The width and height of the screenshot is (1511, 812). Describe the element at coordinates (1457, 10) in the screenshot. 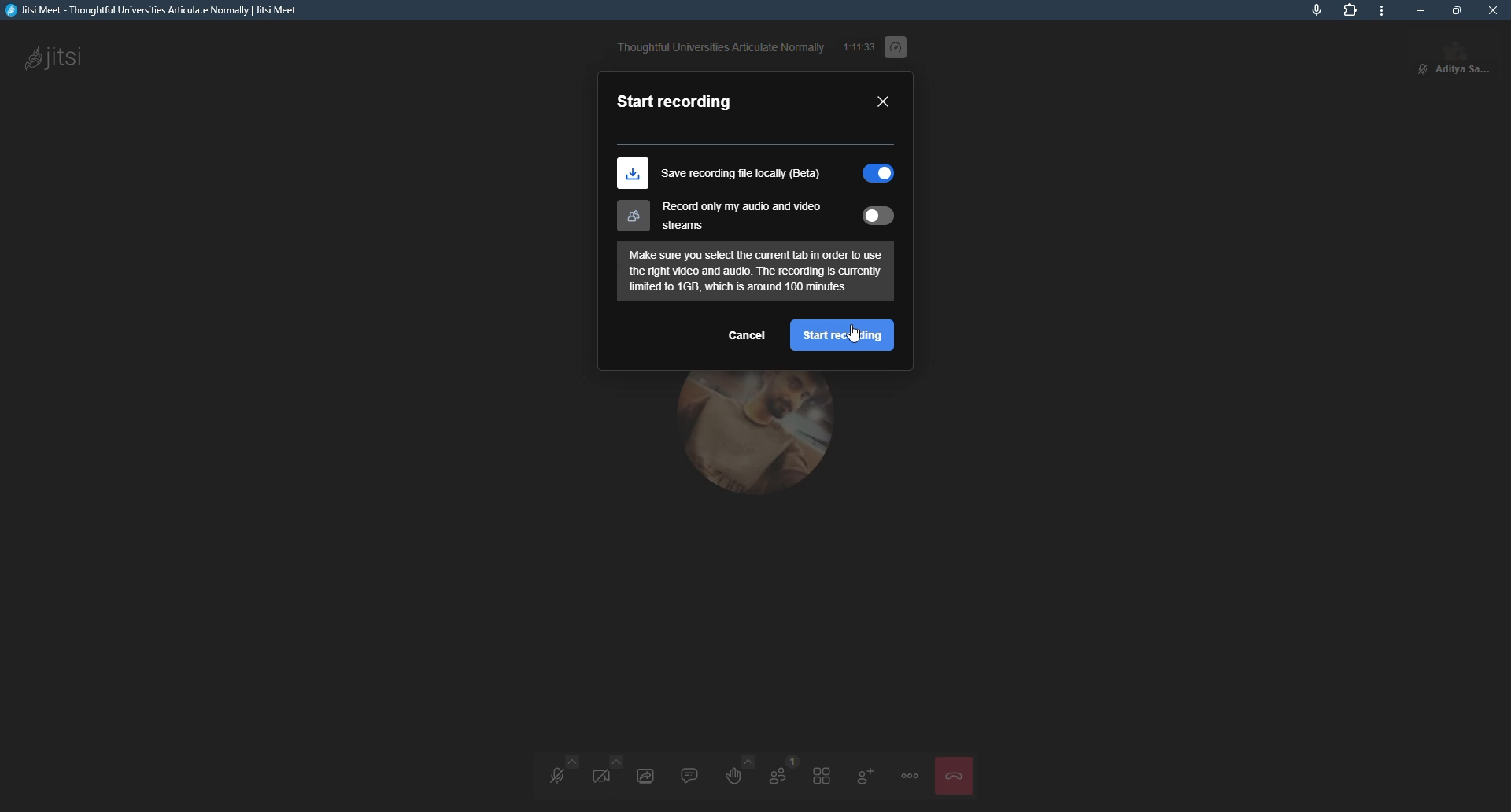

I see `maximize` at that location.